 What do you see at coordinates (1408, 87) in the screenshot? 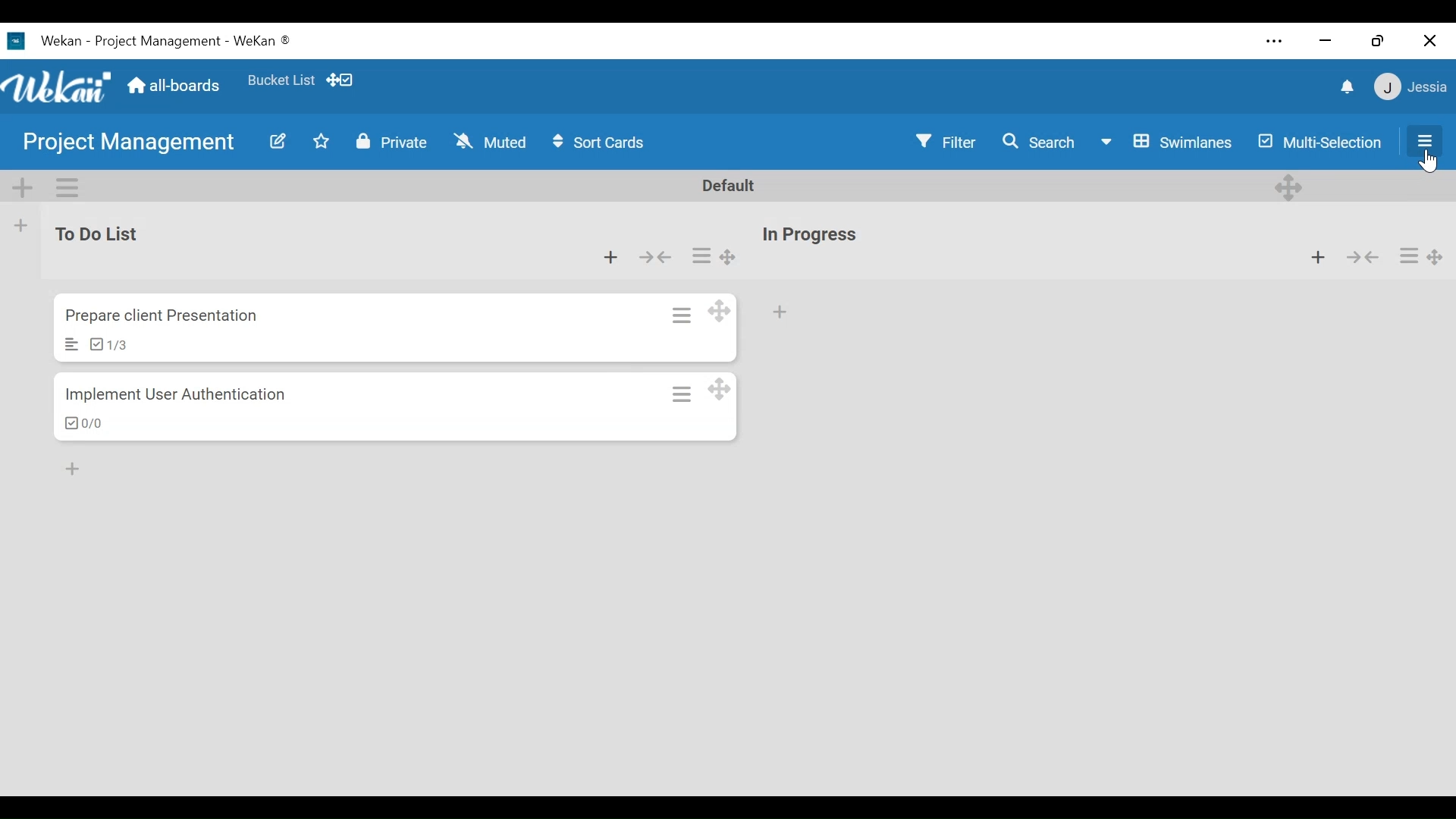
I see `member` at bounding box center [1408, 87].